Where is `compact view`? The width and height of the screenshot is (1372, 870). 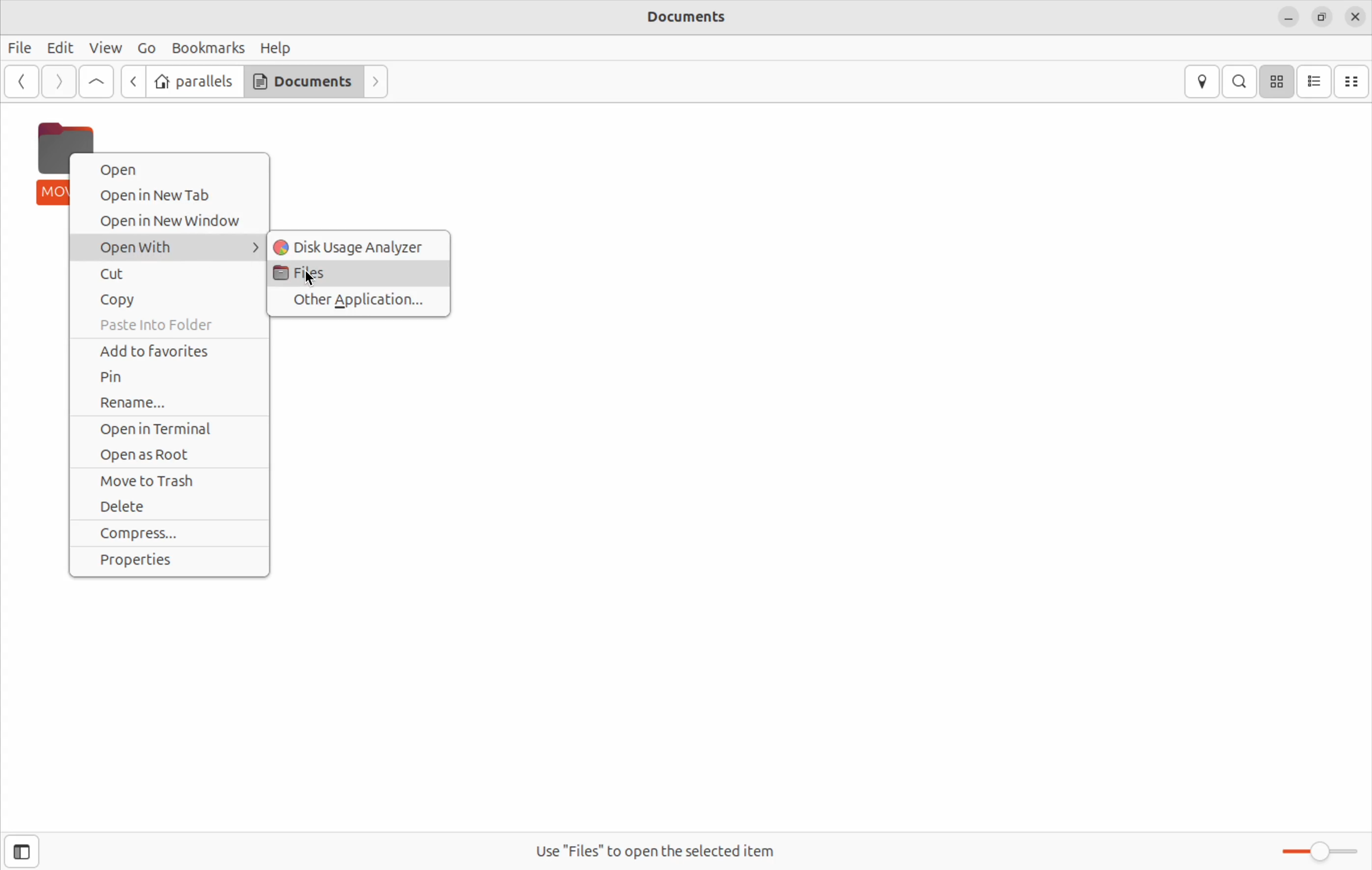
compact view is located at coordinates (1354, 81).